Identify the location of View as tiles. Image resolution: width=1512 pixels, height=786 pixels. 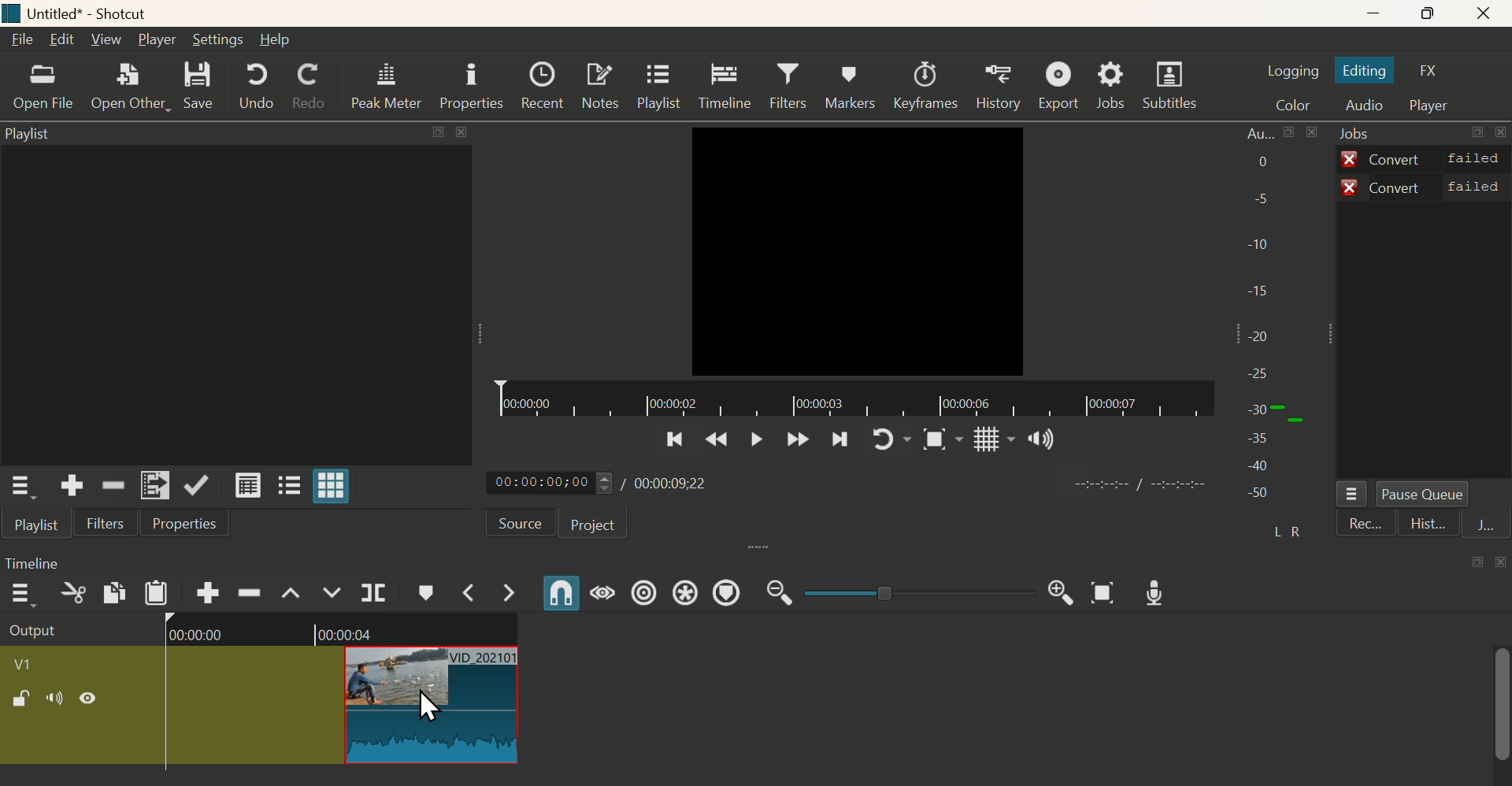
(291, 484).